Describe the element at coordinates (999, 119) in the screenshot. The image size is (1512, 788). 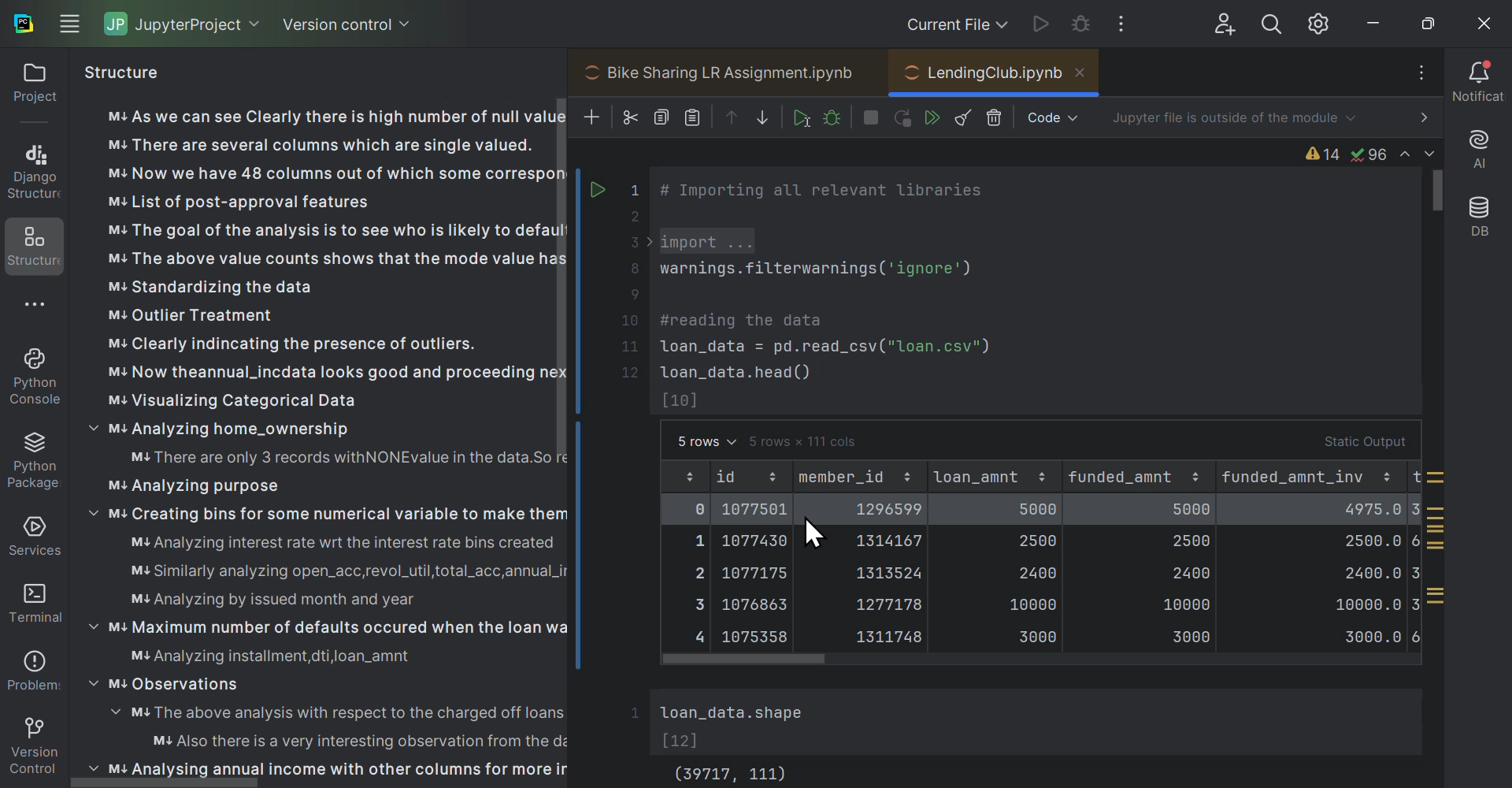
I see `Delete` at that location.